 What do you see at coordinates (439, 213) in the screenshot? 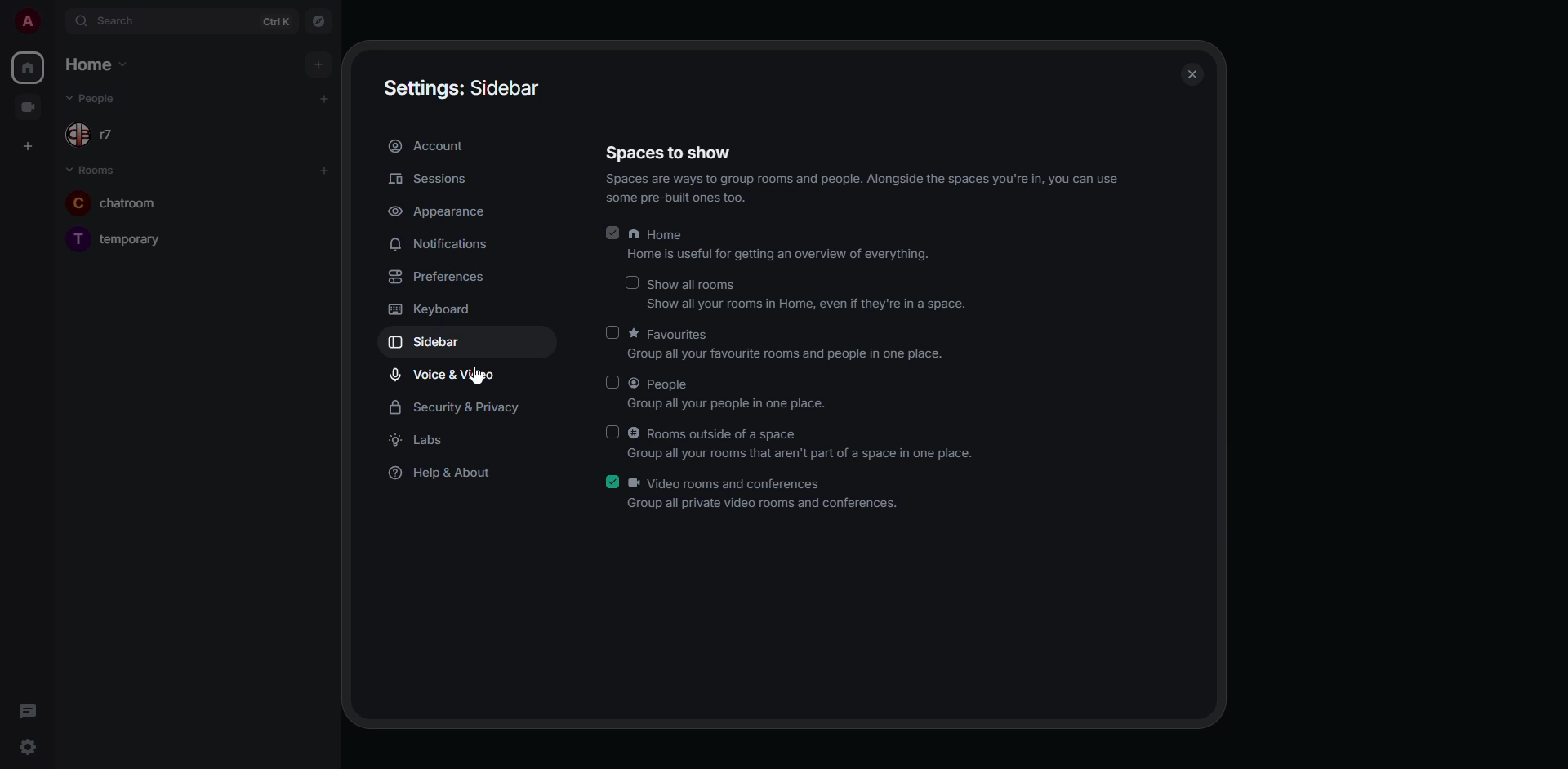
I see `appearance` at bounding box center [439, 213].